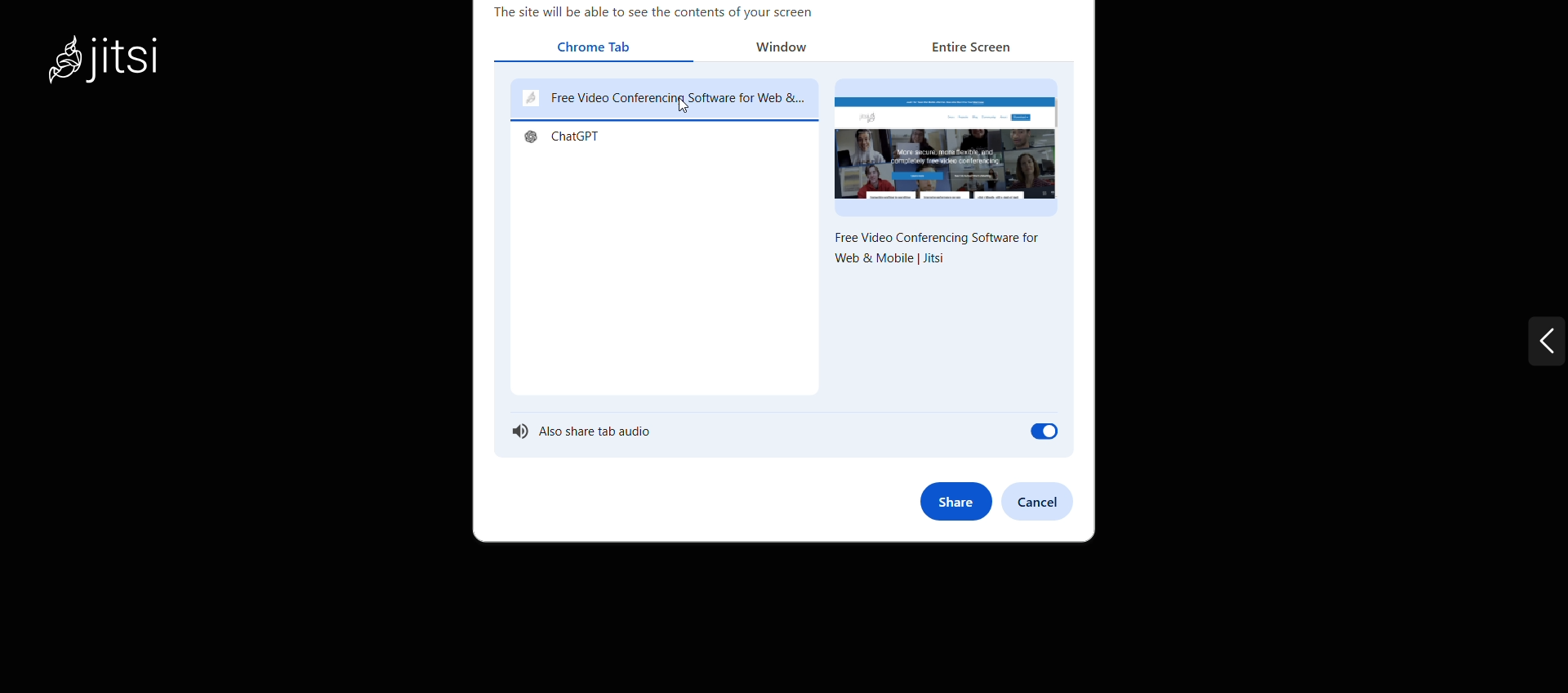 This screenshot has width=1568, height=693. What do you see at coordinates (948, 145) in the screenshot?
I see `screen preview` at bounding box center [948, 145].